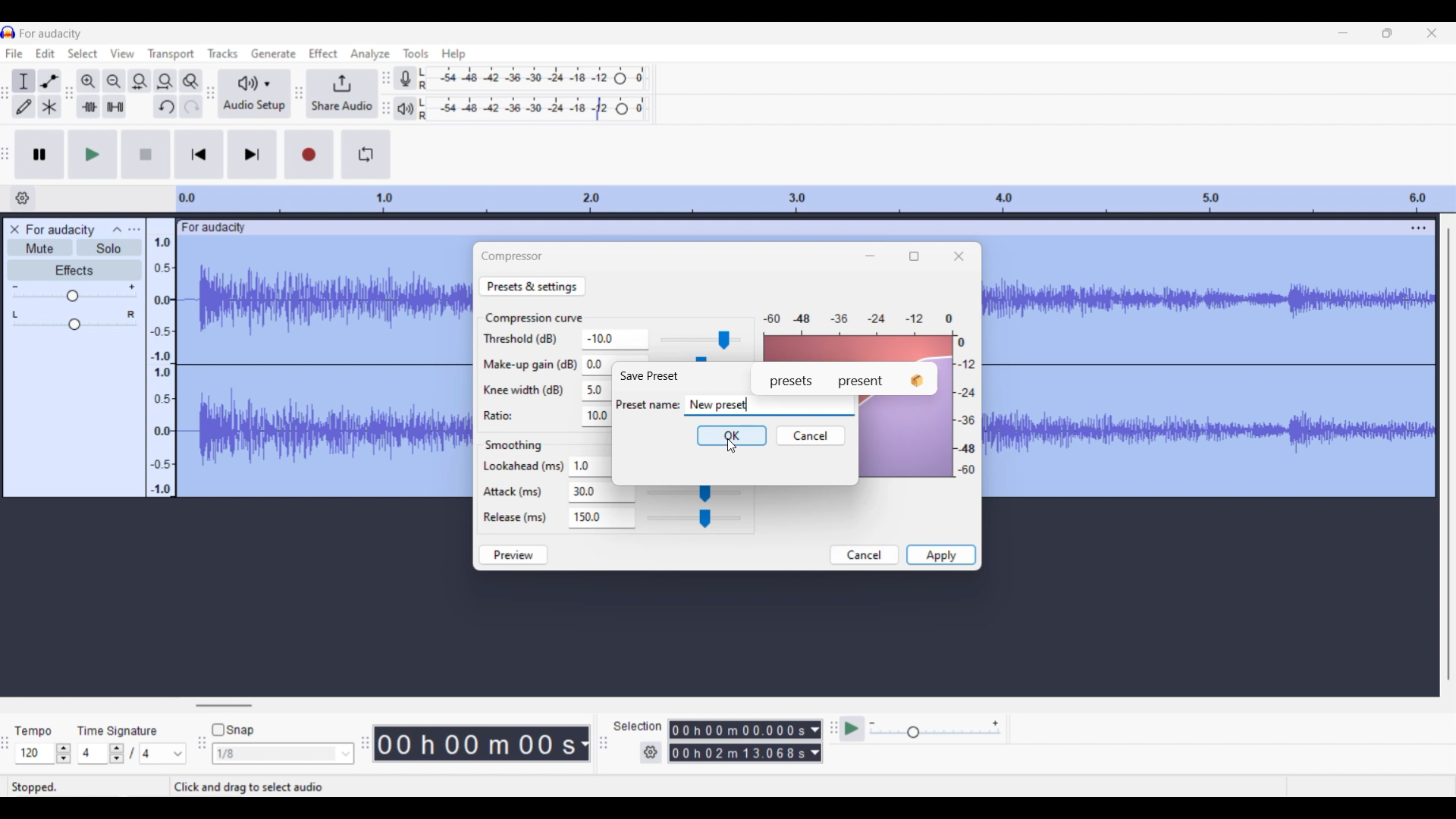 This screenshot has height=819, width=1456. I want to click on Zoom out, so click(115, 81).